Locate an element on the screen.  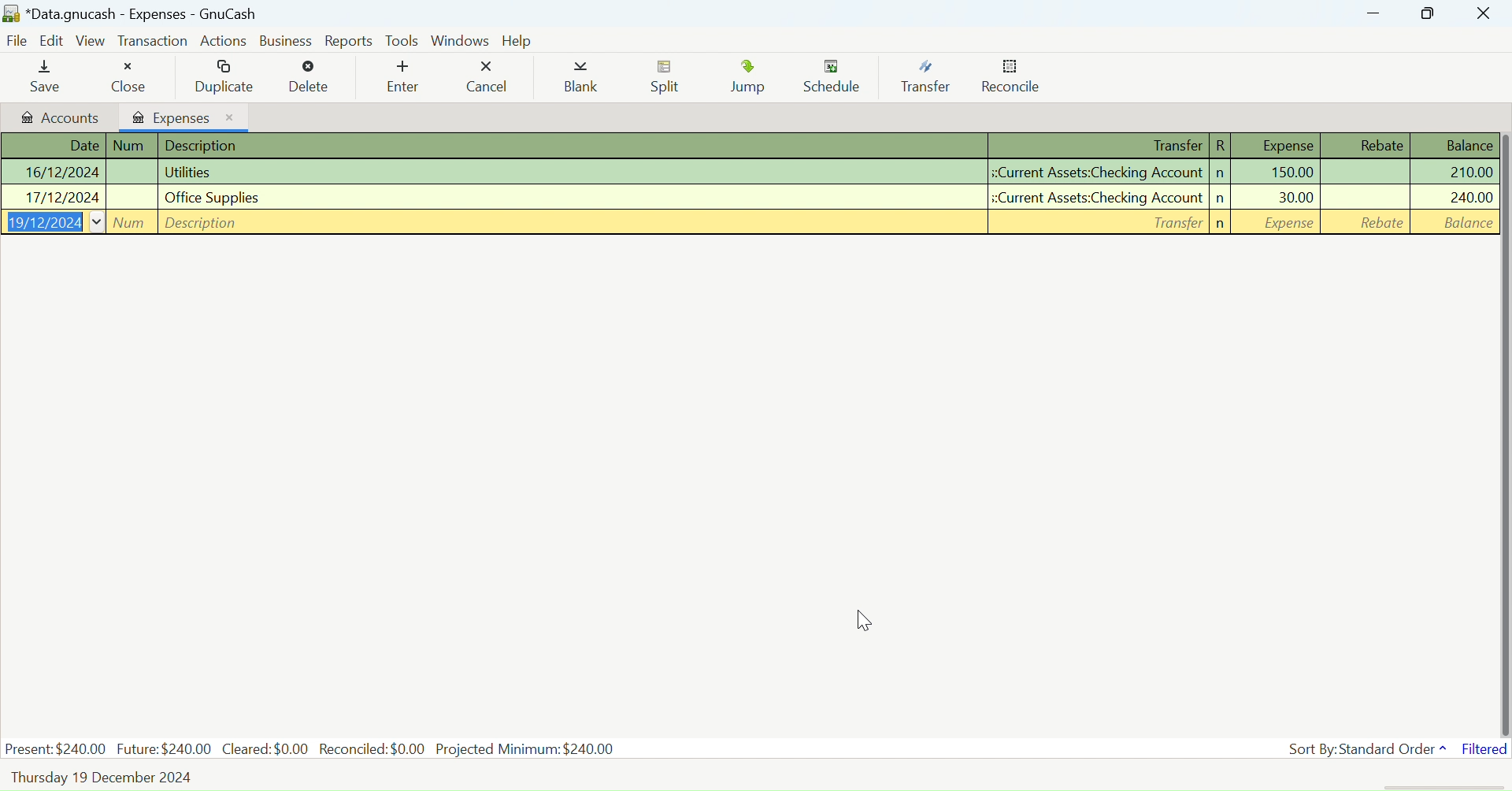
Cancel is located at coordinates (486, 77).